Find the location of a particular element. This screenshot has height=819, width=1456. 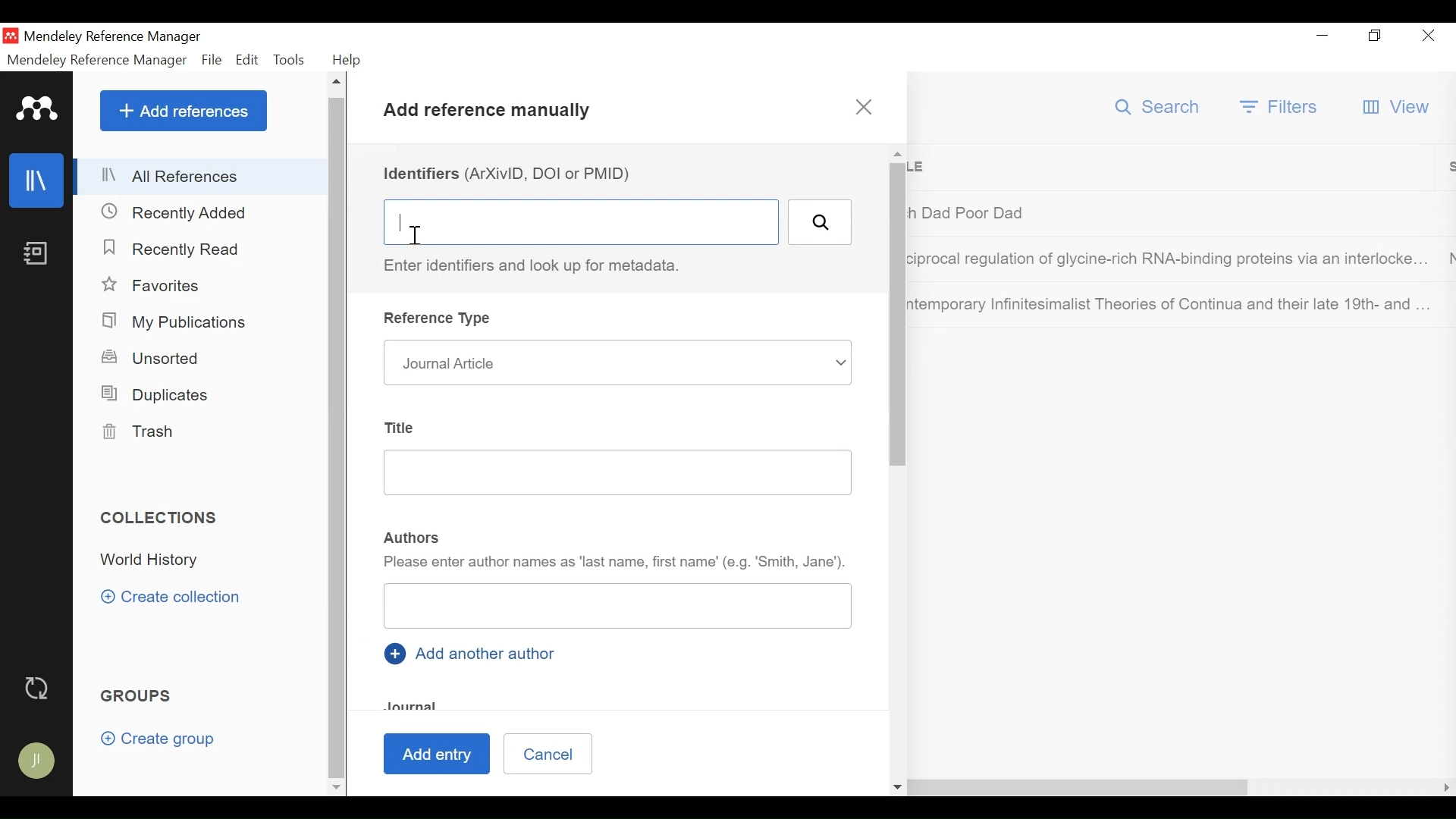

Mendeley Desktop icon is located at coordinates (10, 35).